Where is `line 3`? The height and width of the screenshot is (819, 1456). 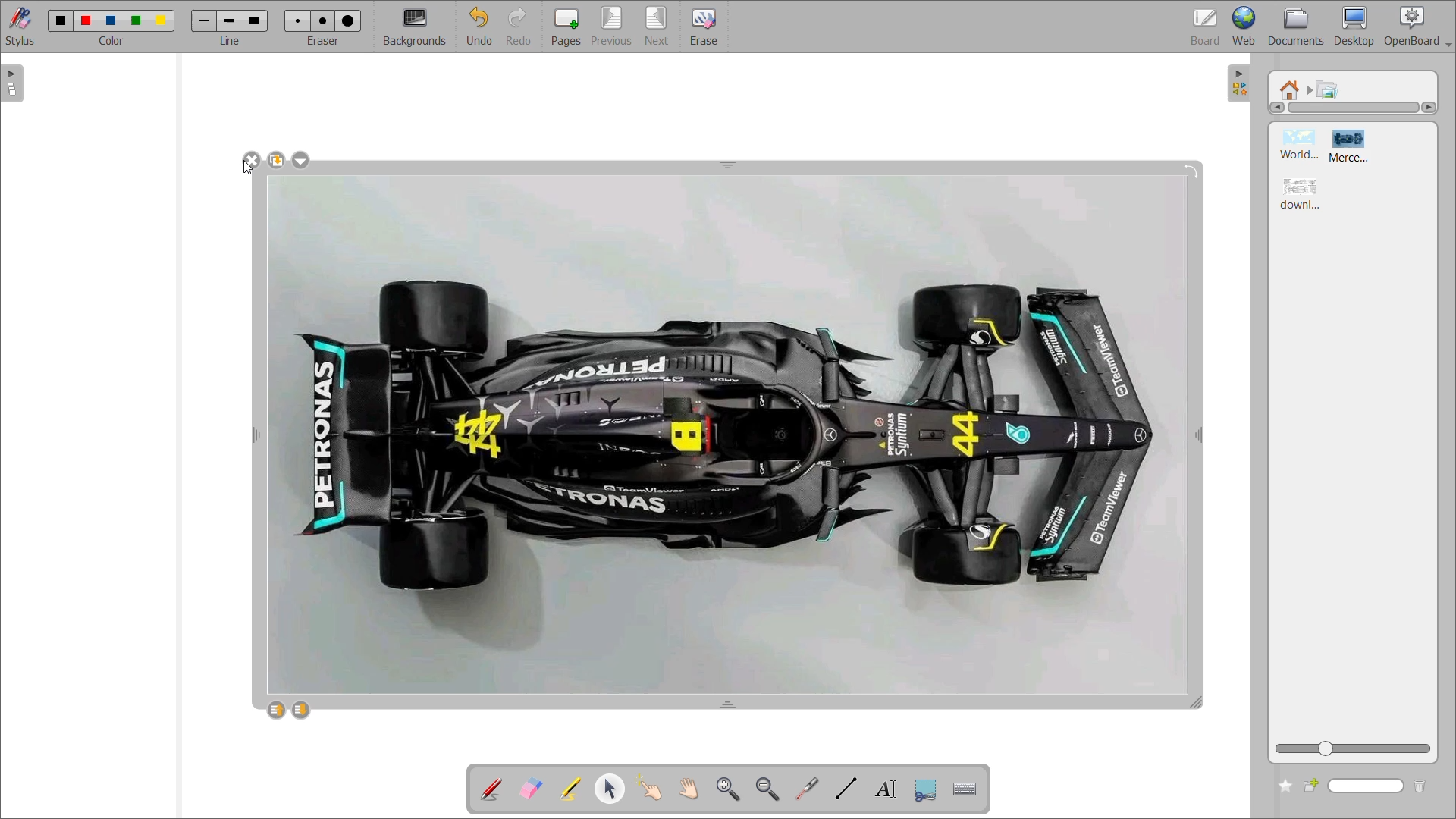
line 3 is located at coordinates (255, 20).